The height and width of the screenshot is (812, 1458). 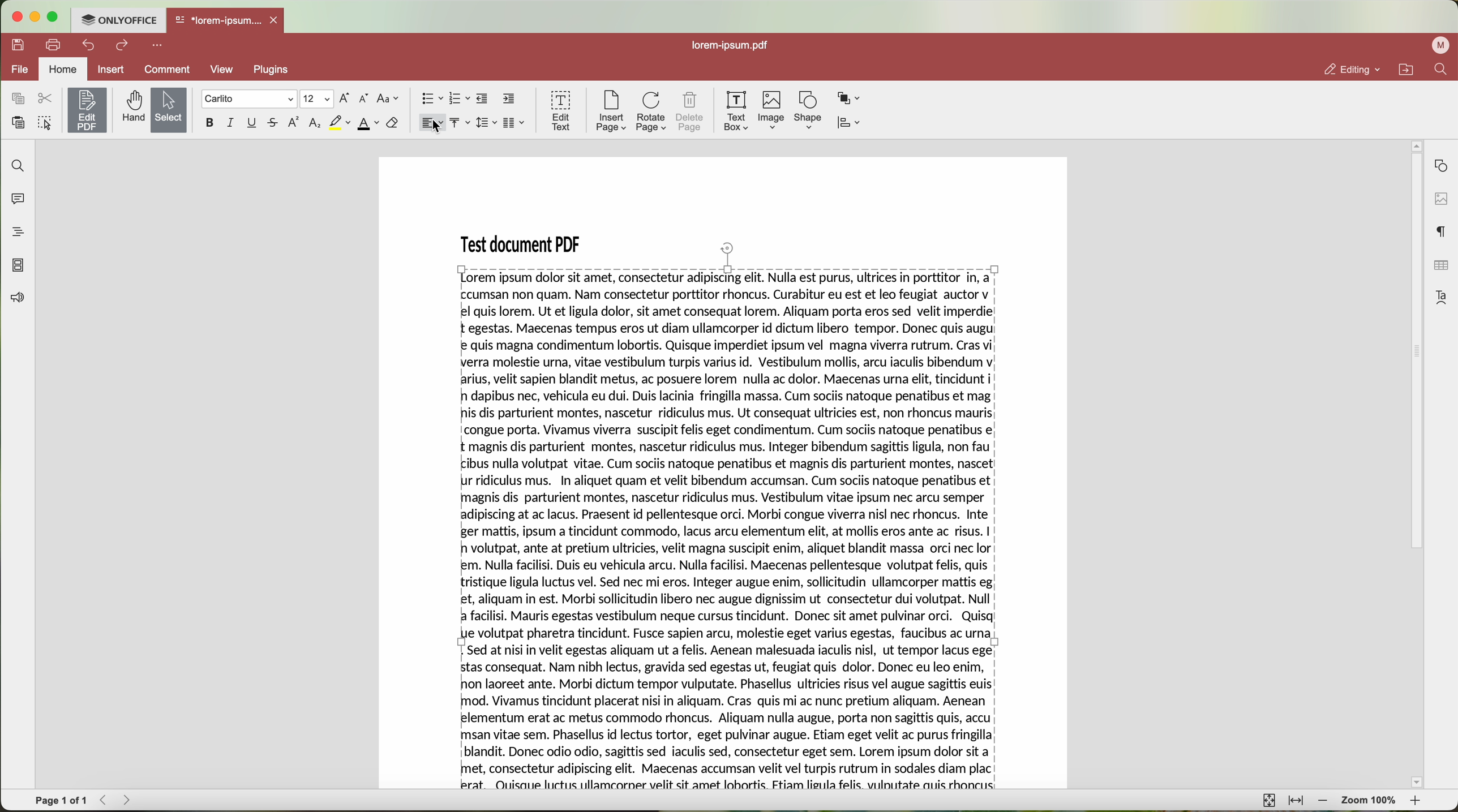 I want to click on insert, so click(x=111, y=70).